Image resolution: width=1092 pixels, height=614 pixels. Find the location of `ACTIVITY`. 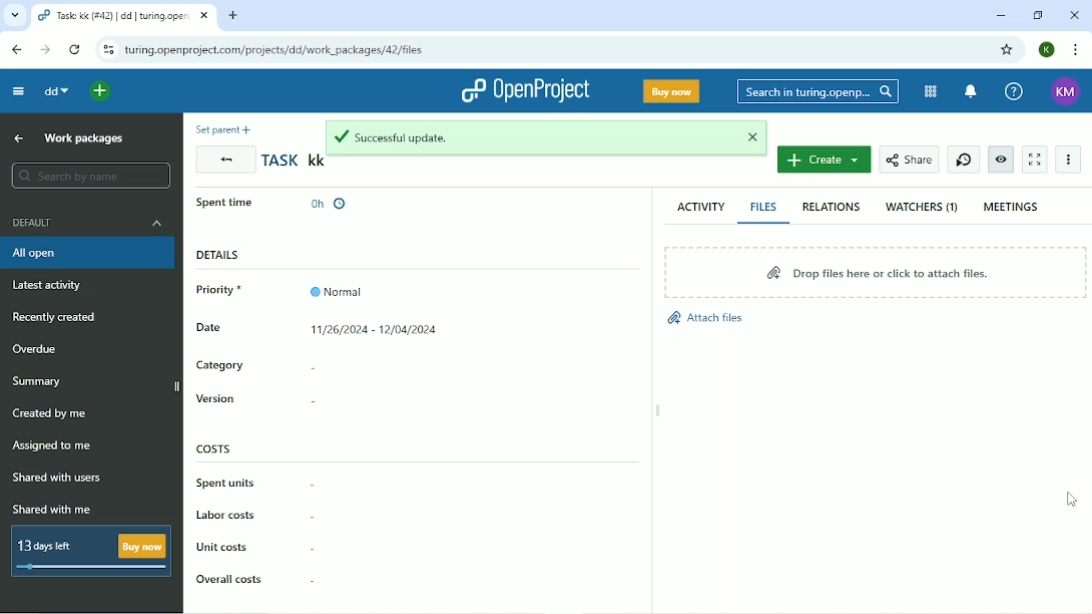

ACTIVITY is located at coordinates (698, 207).